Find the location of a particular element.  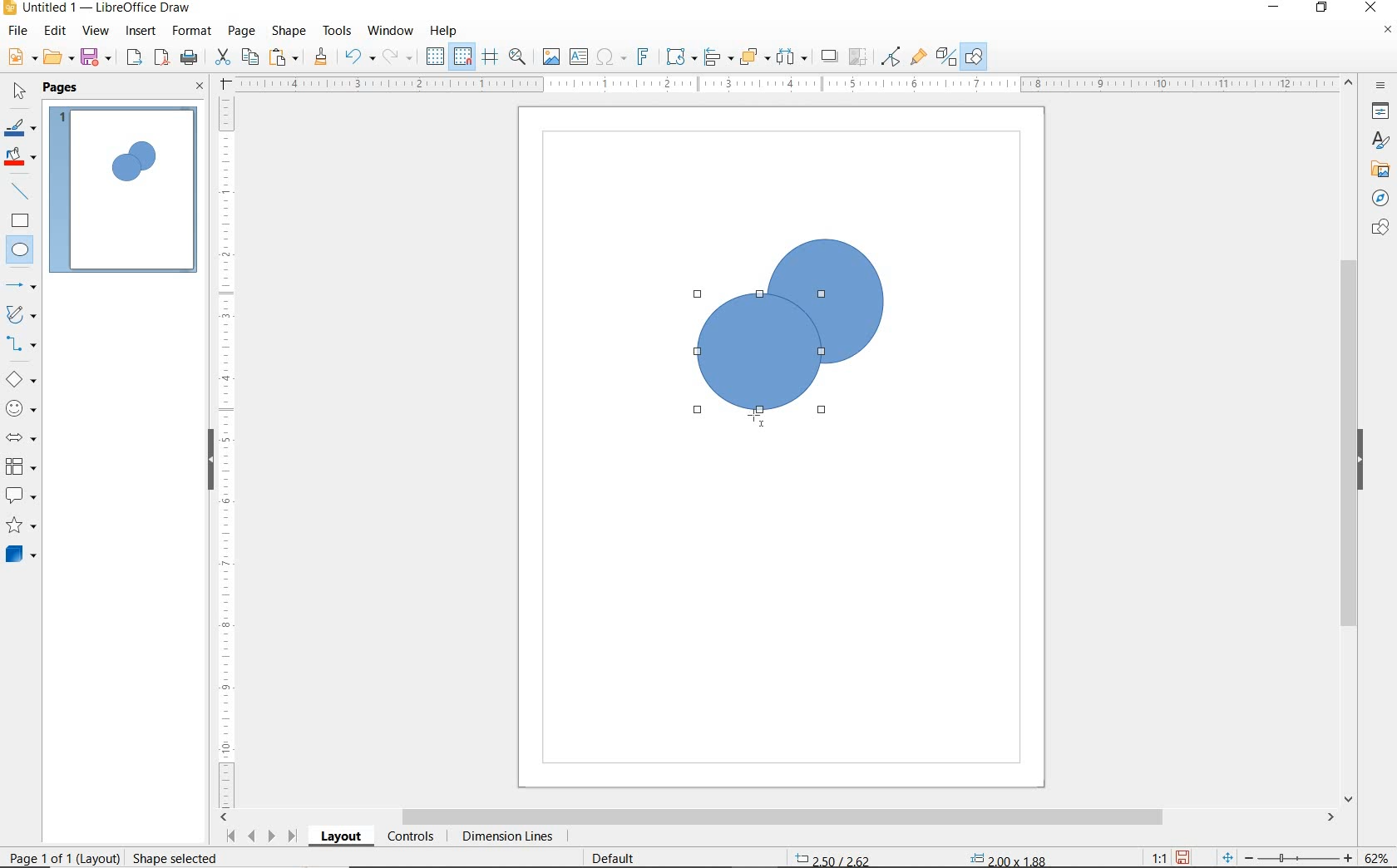

PAGE is located at coordinates (241, 31).